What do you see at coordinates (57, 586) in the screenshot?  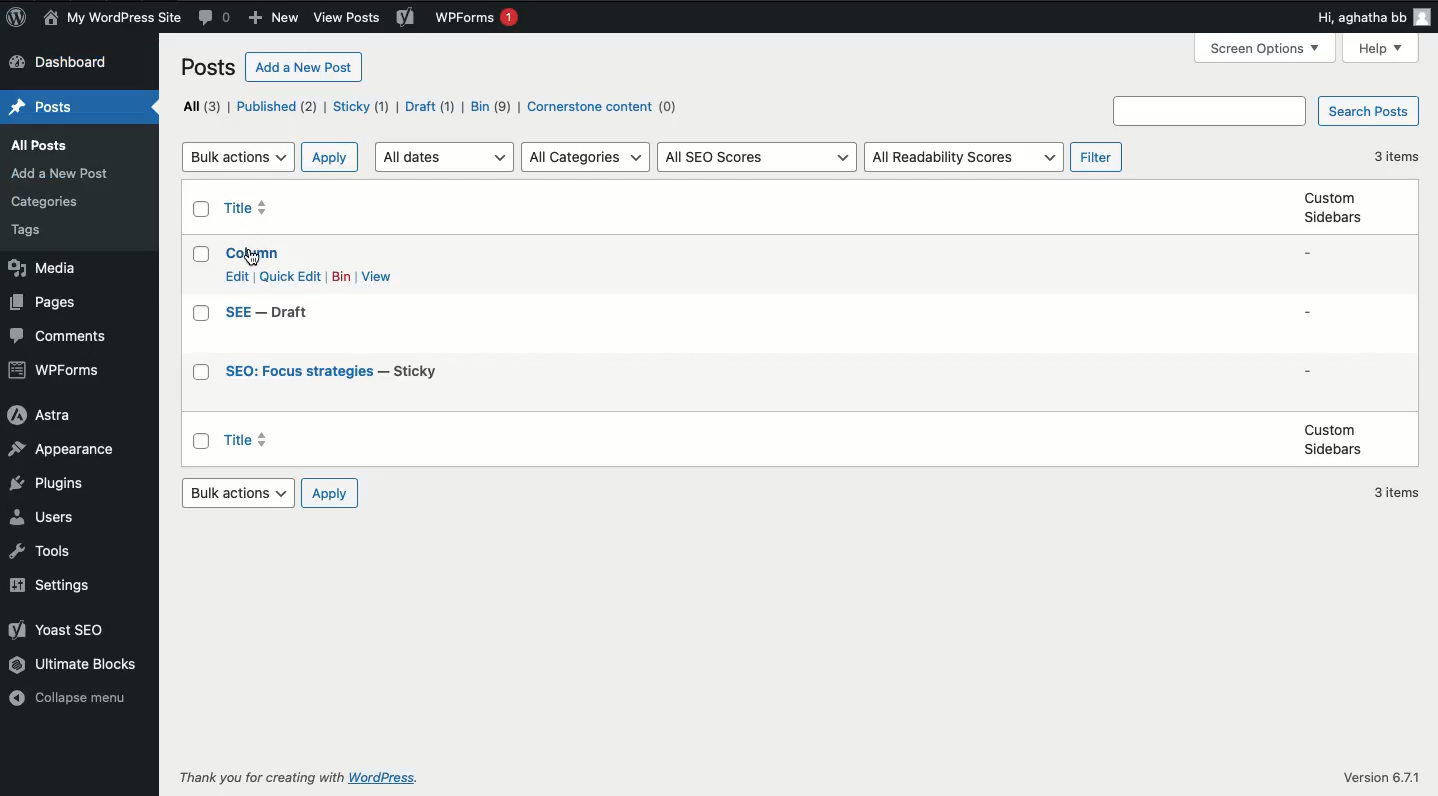 I see `Settings` at bounding box center [57, 586].